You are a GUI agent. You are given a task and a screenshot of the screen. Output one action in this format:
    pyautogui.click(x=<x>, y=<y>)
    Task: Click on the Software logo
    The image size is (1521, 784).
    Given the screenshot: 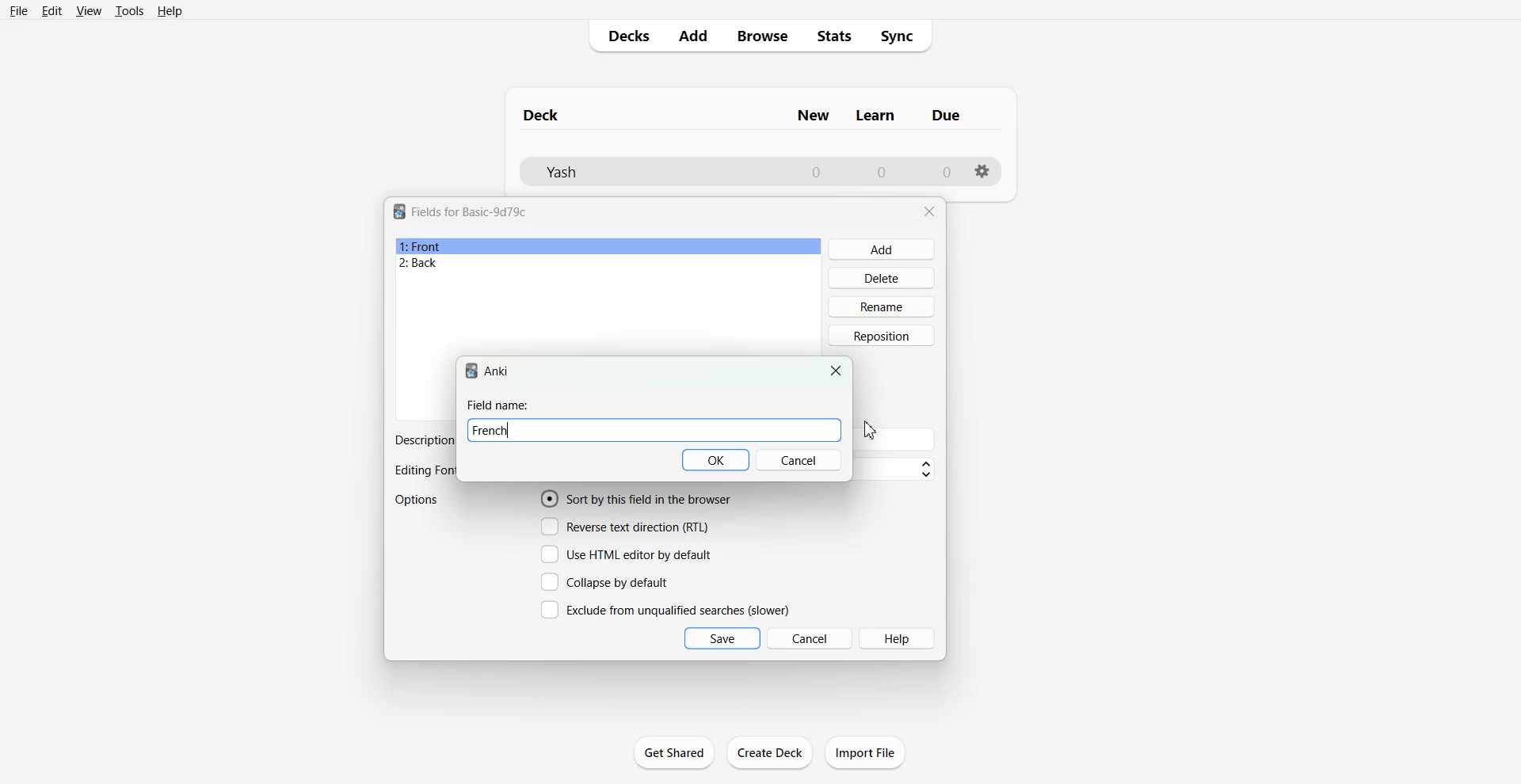 What is the action you would take?
    pyautogui.click(x=471, y=371)
    